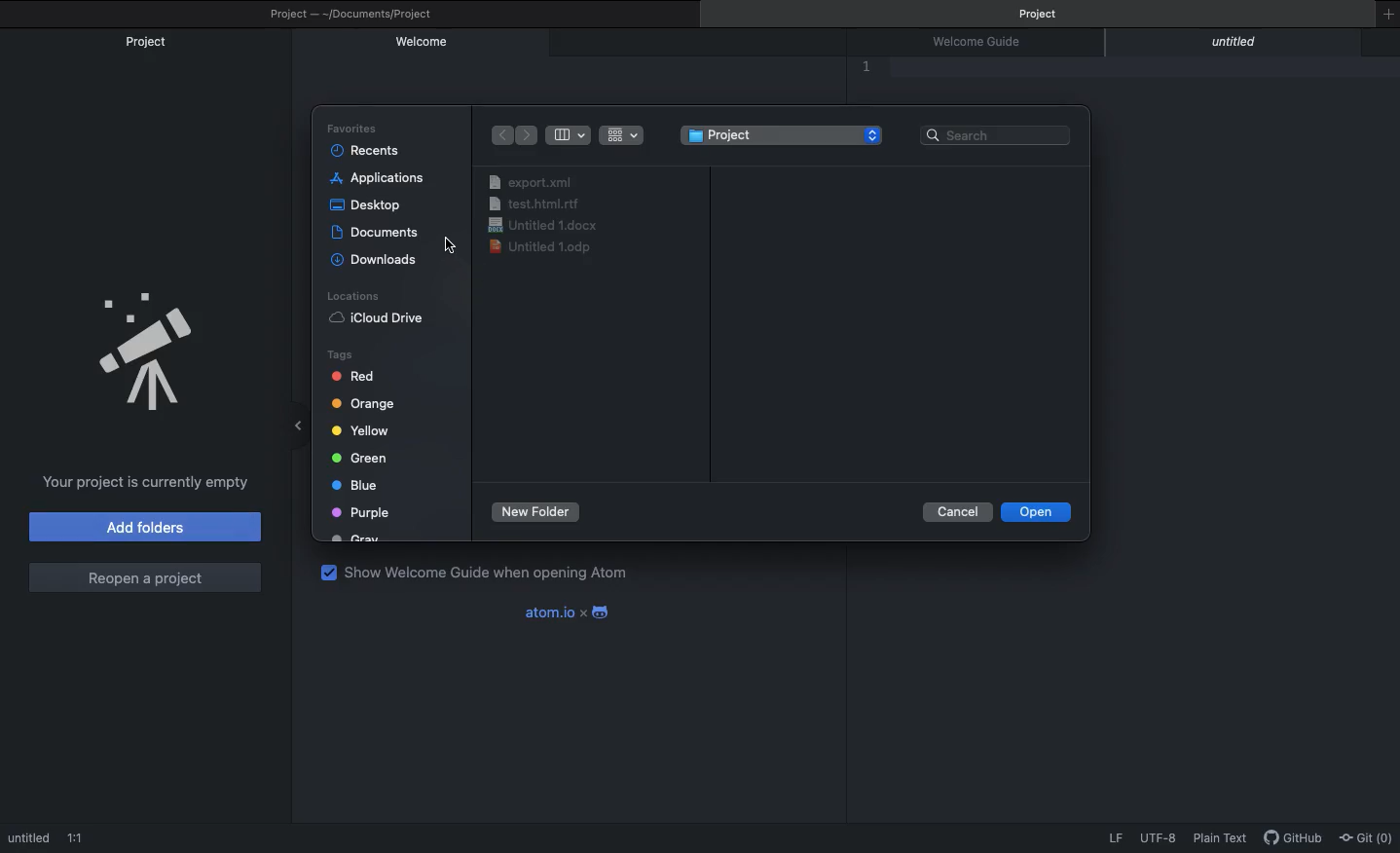 The image size is (1400, 853). I want to click on Plain text, so click(1224, 839).